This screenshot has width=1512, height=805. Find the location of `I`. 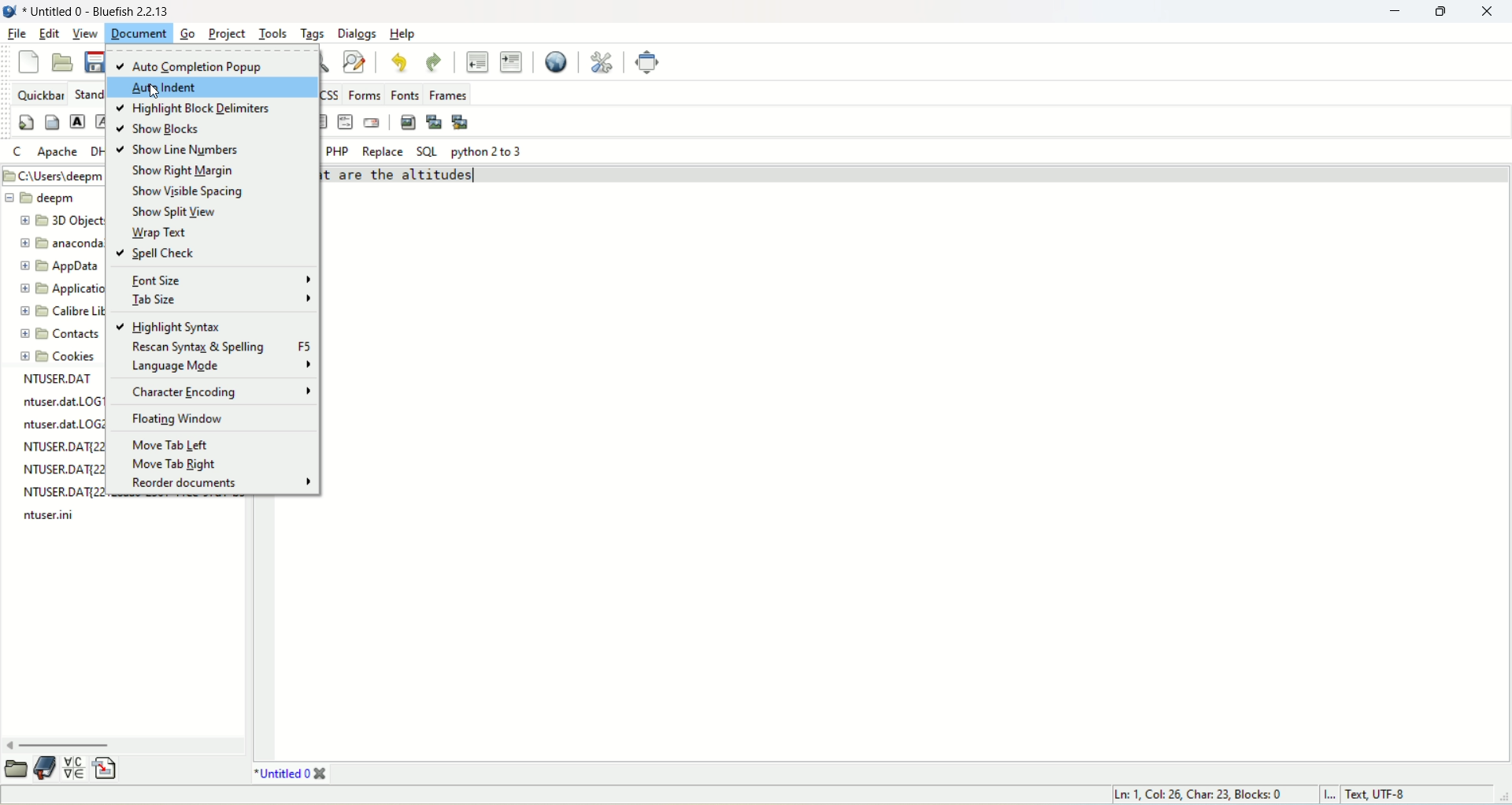

I is located at coordinates (1331, 796).